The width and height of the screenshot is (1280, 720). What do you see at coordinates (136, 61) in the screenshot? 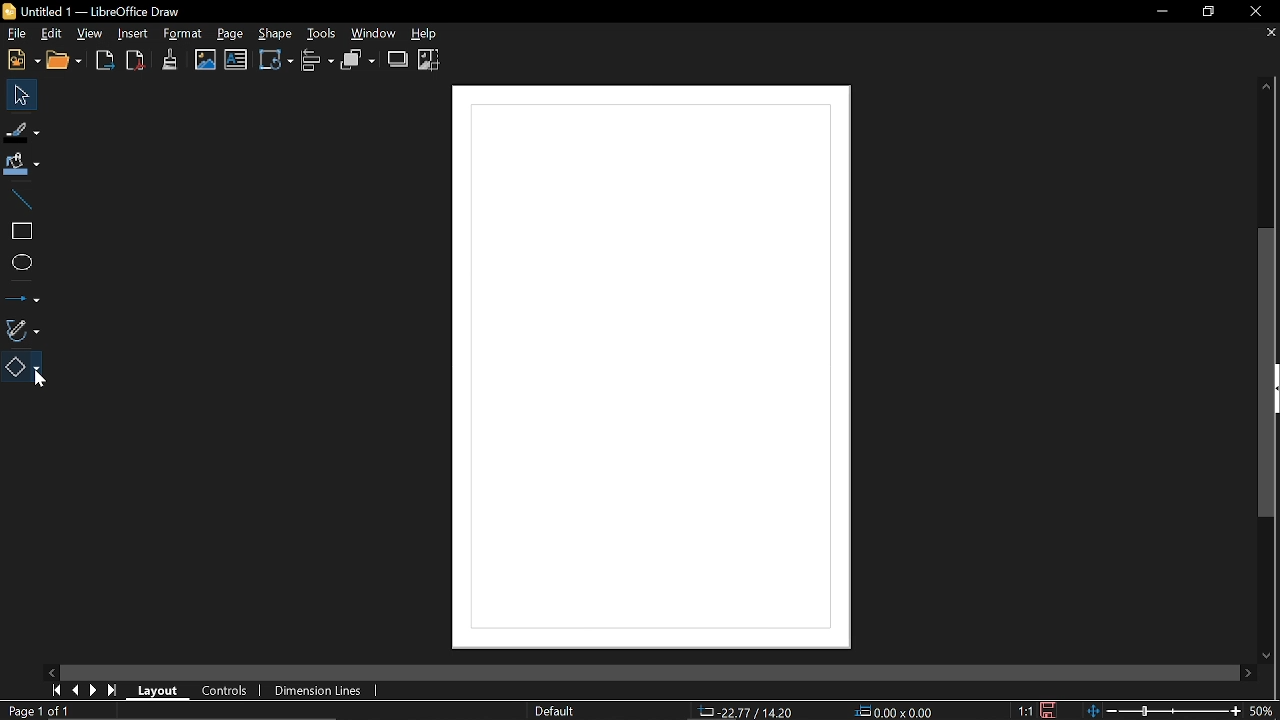
I see `Export as pdf` at bounding box center [136, 61].